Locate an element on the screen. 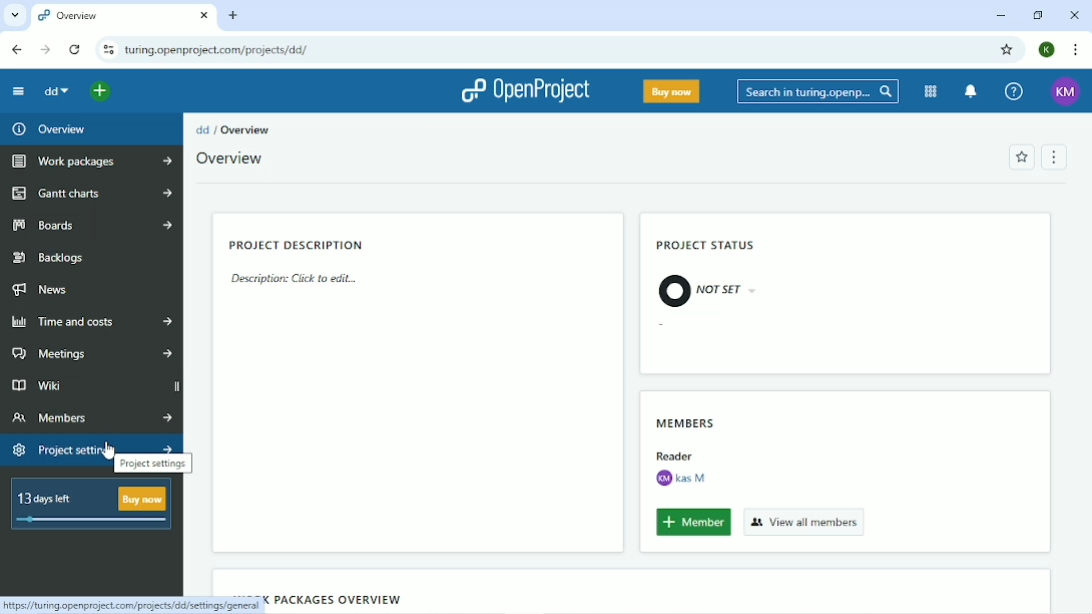  Wiki is located at coordinates (93, 386).